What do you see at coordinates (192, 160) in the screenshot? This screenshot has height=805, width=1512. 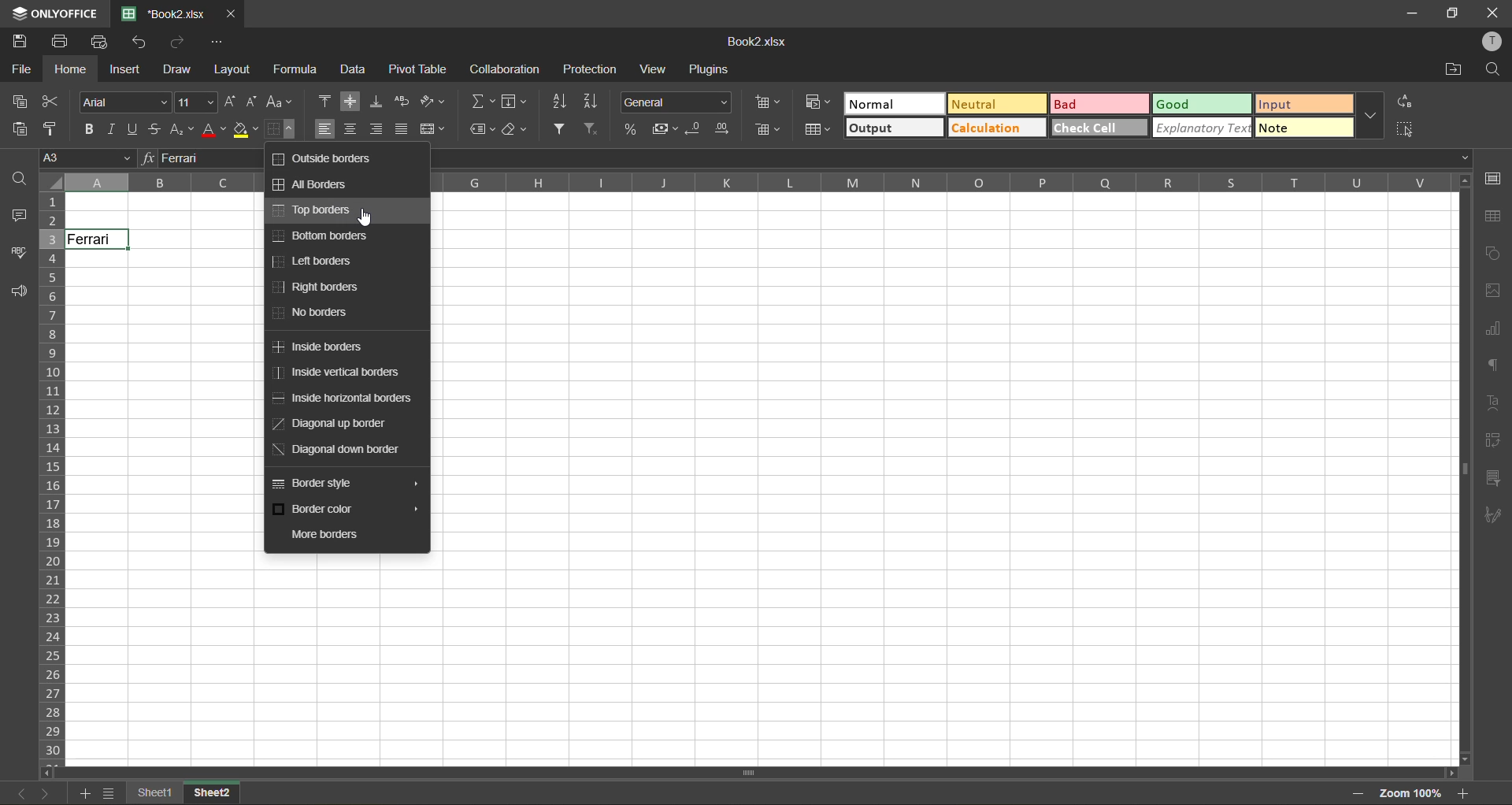 I see `formula bar` at bounding box center [192, 160].